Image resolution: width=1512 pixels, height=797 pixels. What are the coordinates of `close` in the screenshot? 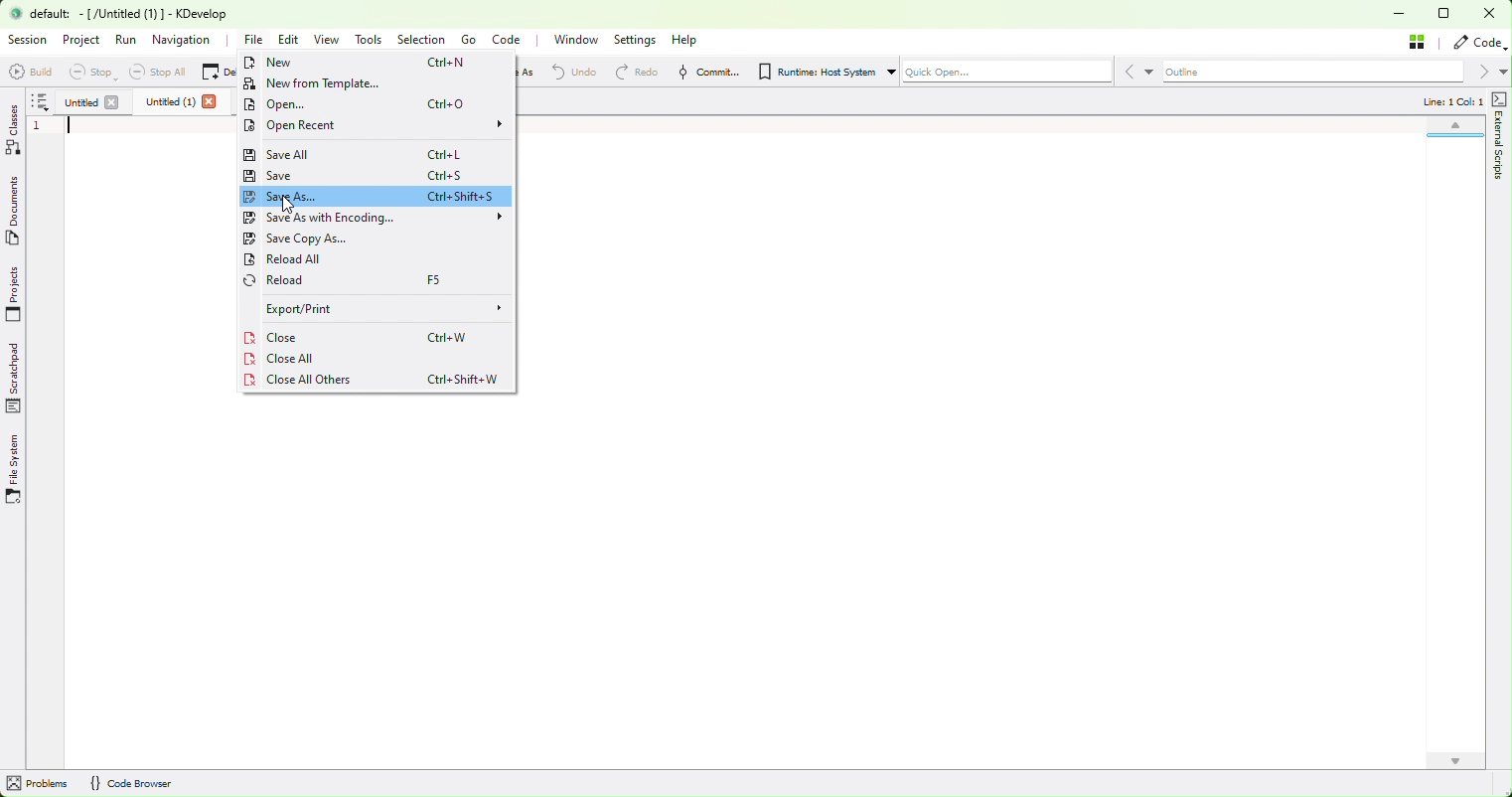 It's located at (1494, 14).